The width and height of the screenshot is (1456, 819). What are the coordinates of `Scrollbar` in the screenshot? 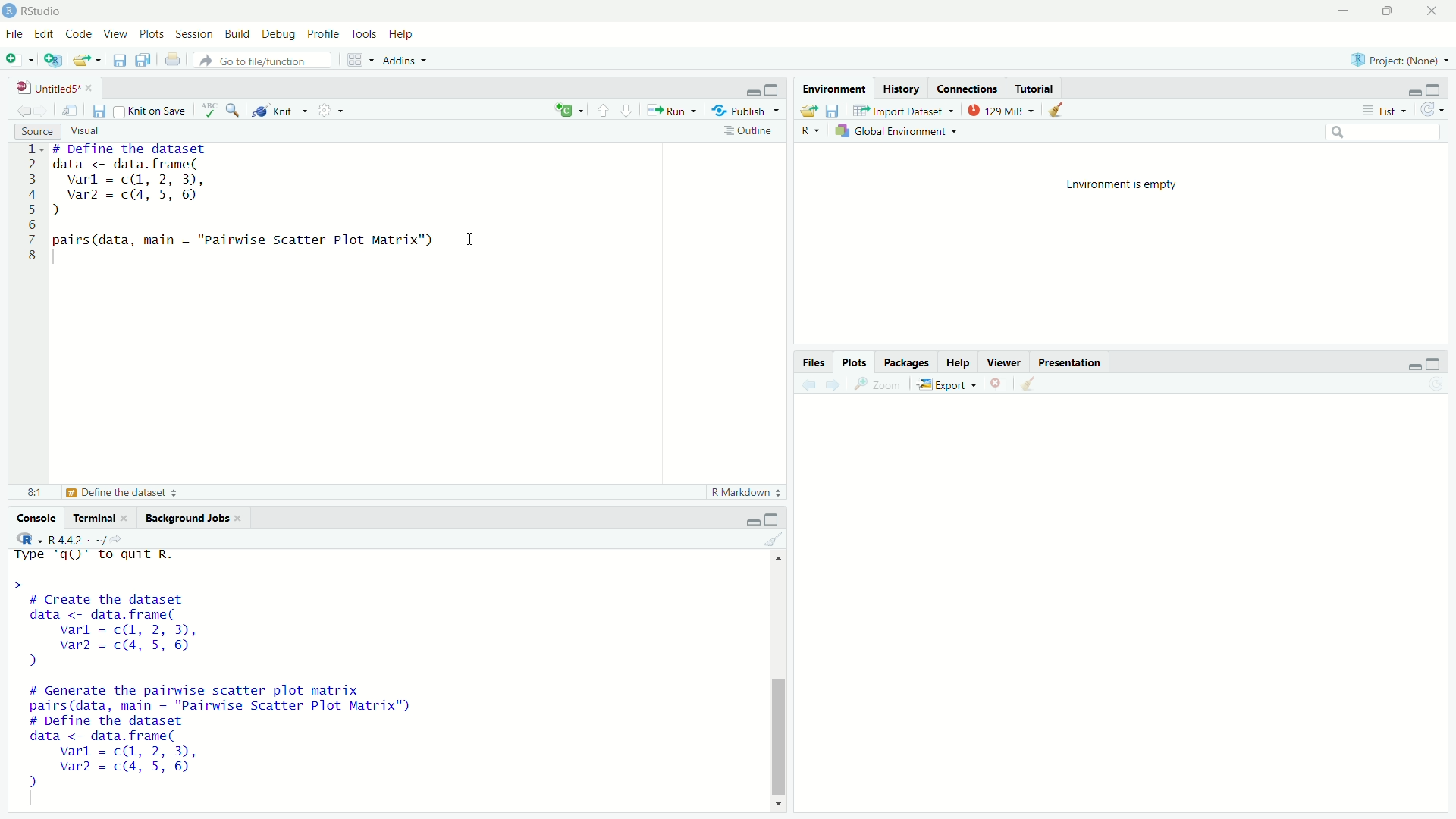 It's located at (778, 731).